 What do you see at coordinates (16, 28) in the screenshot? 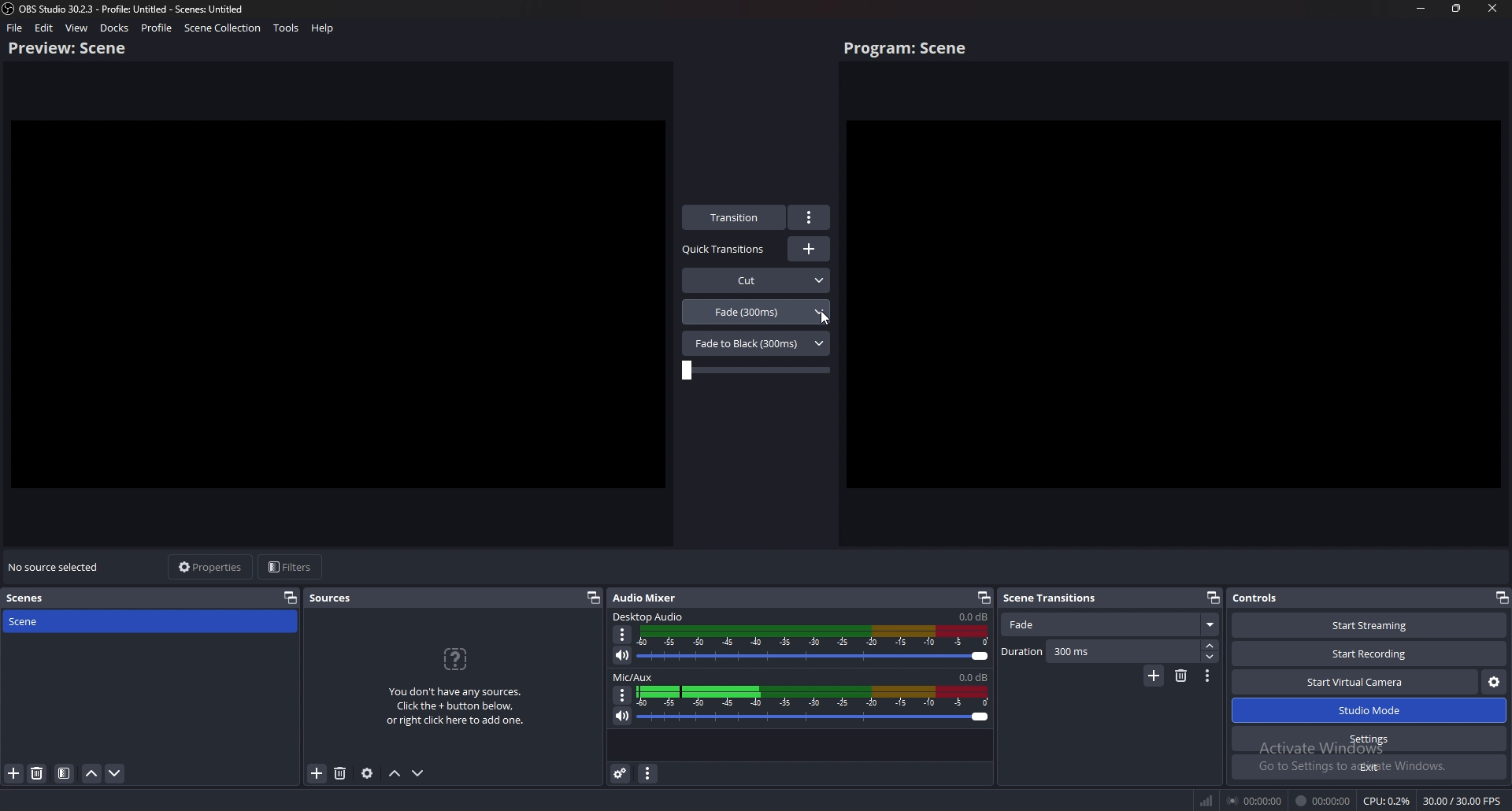
I see `file` at bounding box center [16, 28].